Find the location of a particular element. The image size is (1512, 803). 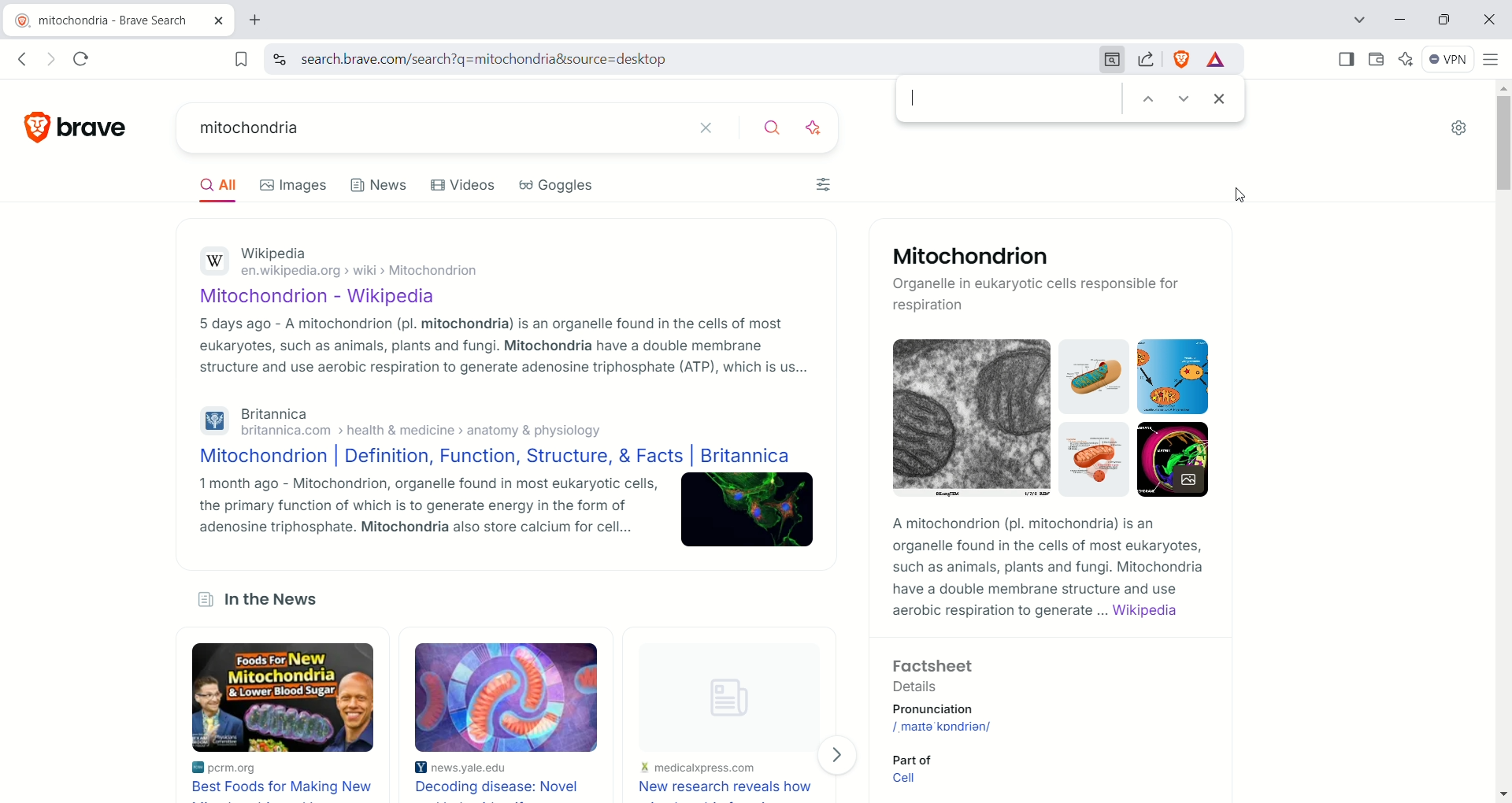

1 month ago - Mitochondrion, organelle found in most eukaryotic cells, the primary function of which is to generate energy in the form of adenosine triphosphate. Mitochondria also store calcium for cell... is located at coordinates (421, 512).